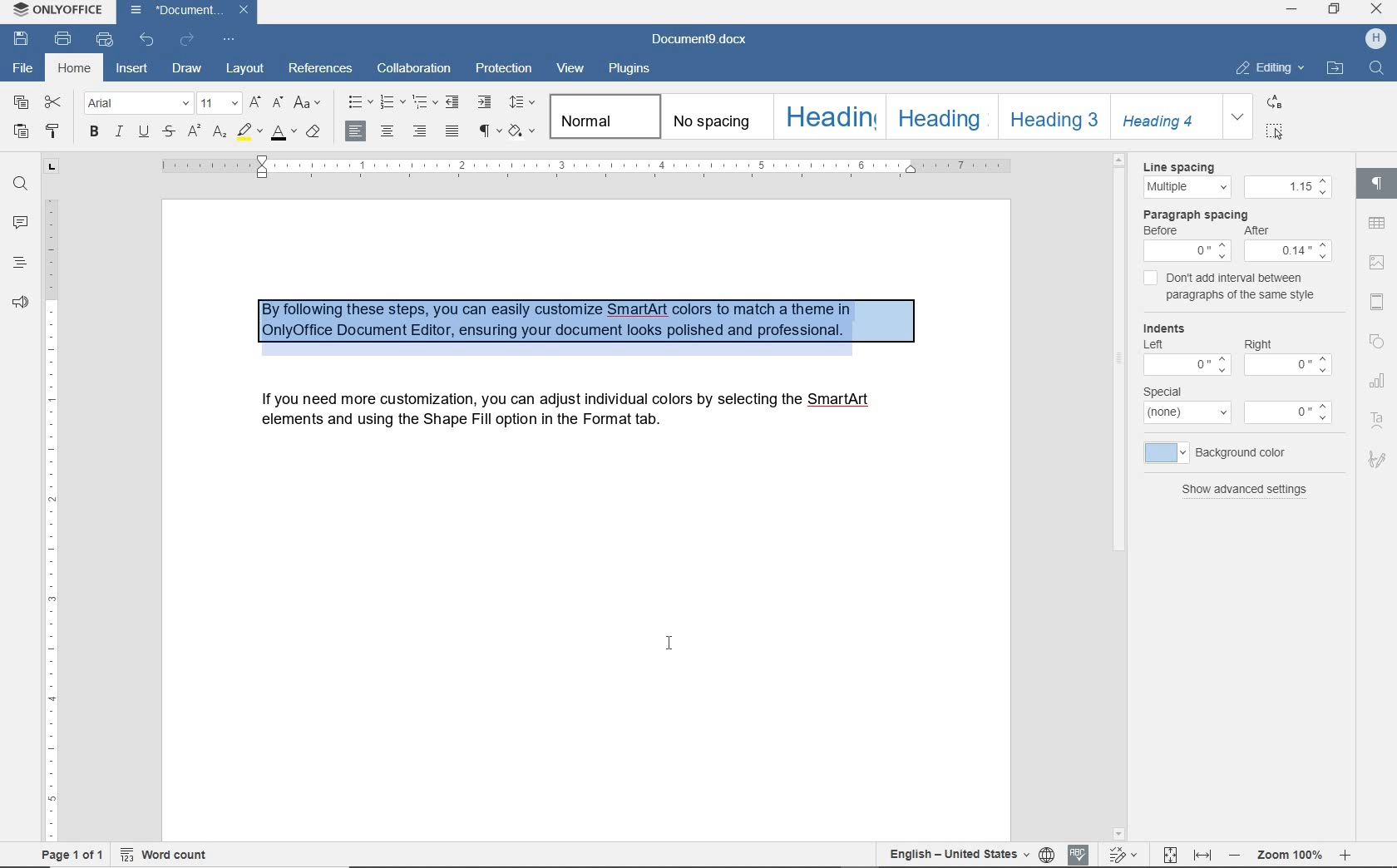  I want to click on decrement font size, so click(279, 101).